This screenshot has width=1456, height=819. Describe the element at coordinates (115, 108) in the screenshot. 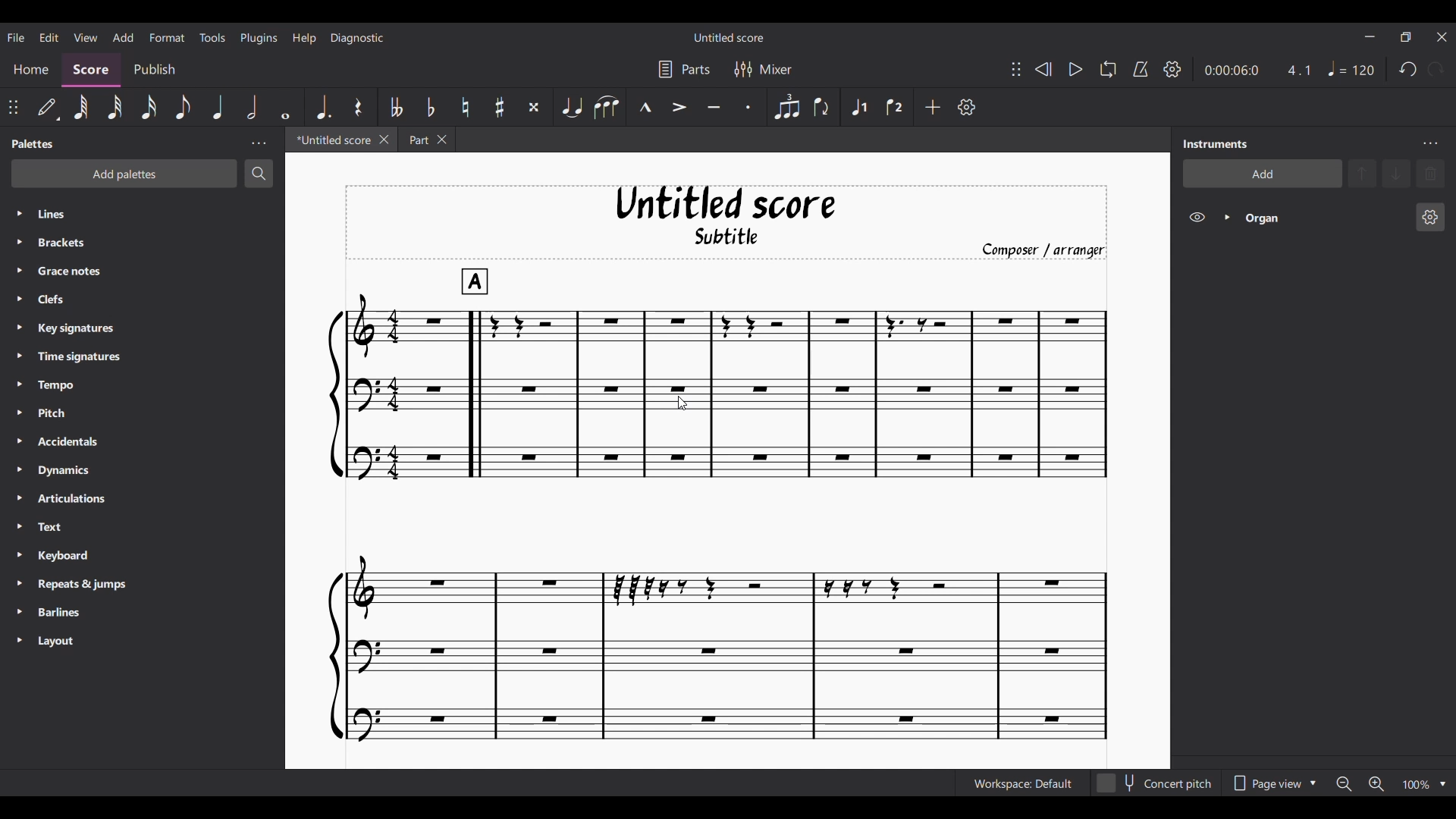

I see `32nd note` at that location.